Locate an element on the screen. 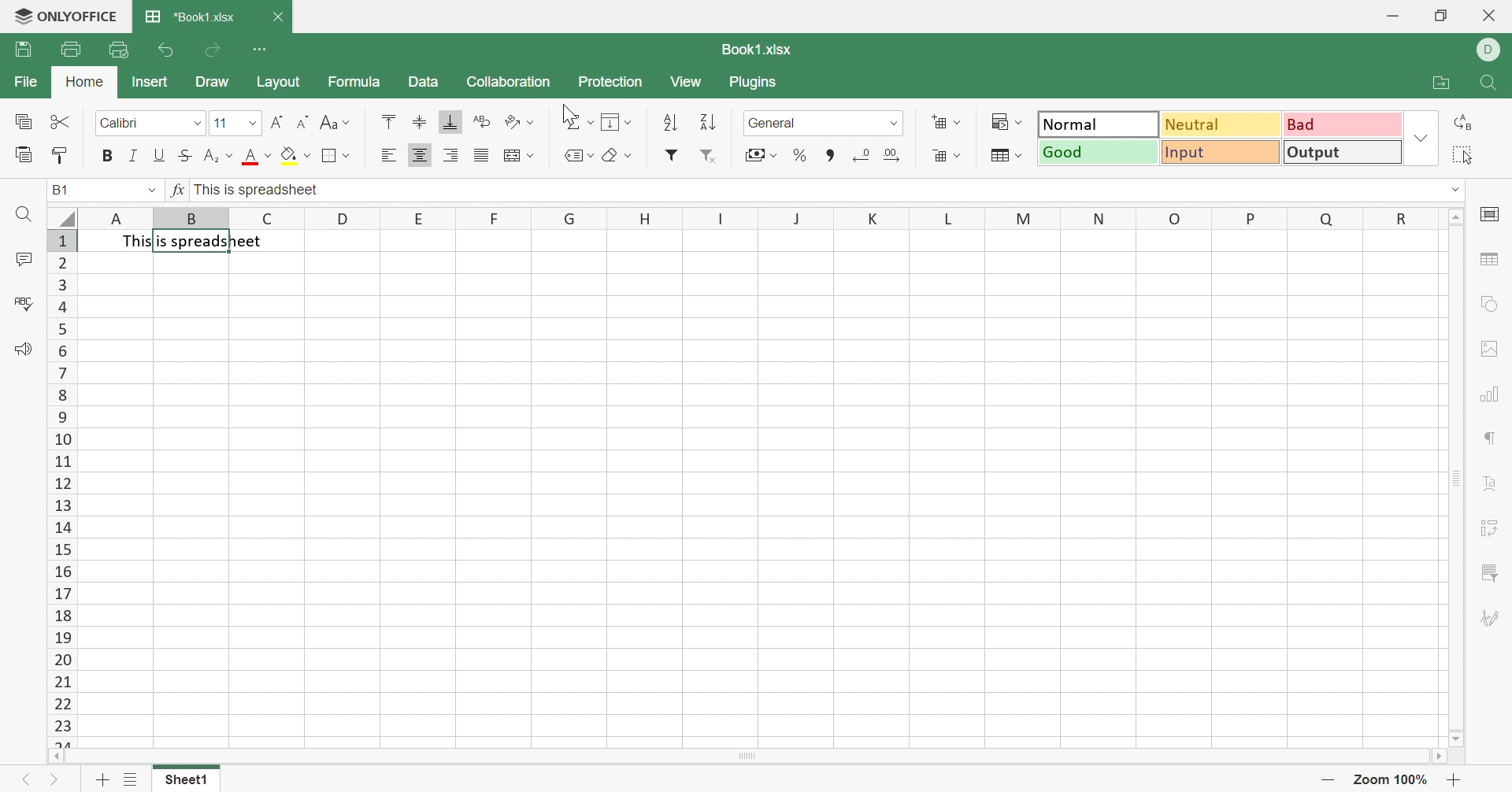  chart settings is located at coordinates (1493, 392).